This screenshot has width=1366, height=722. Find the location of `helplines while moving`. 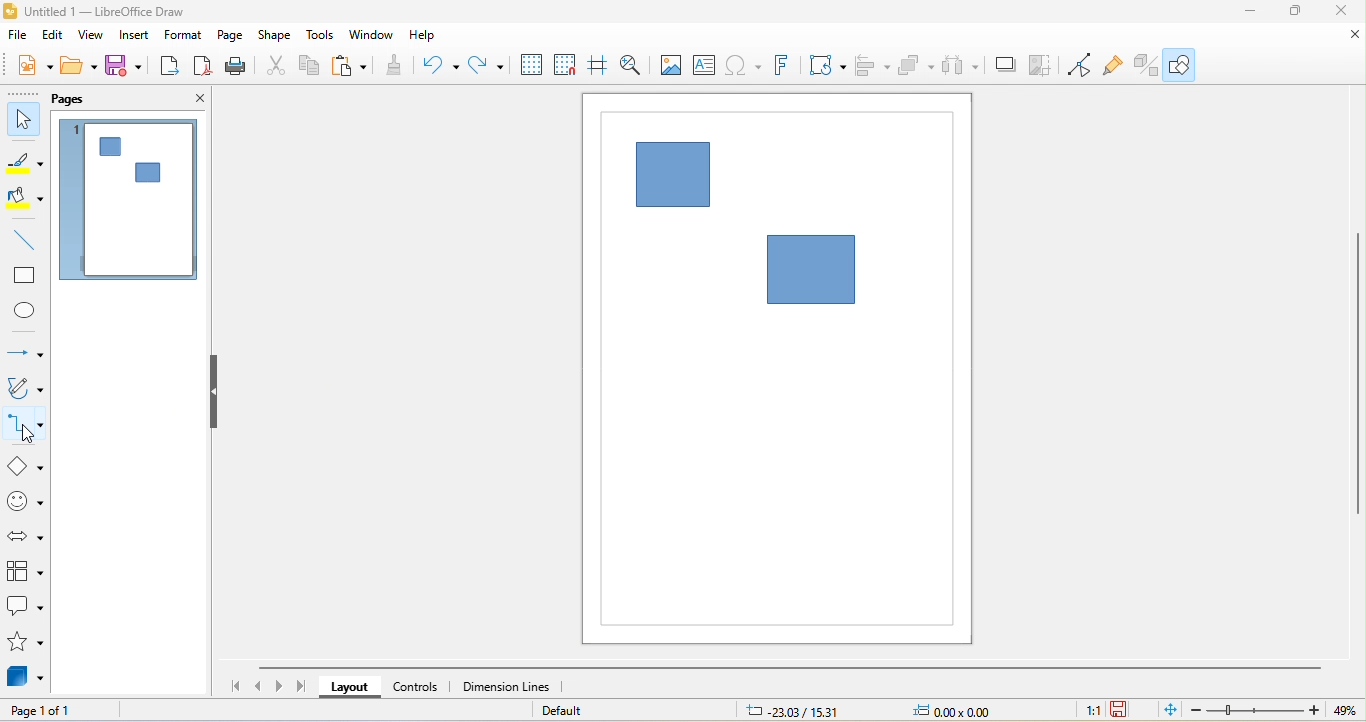

helplines while moving is located at coordinates (601, 64).